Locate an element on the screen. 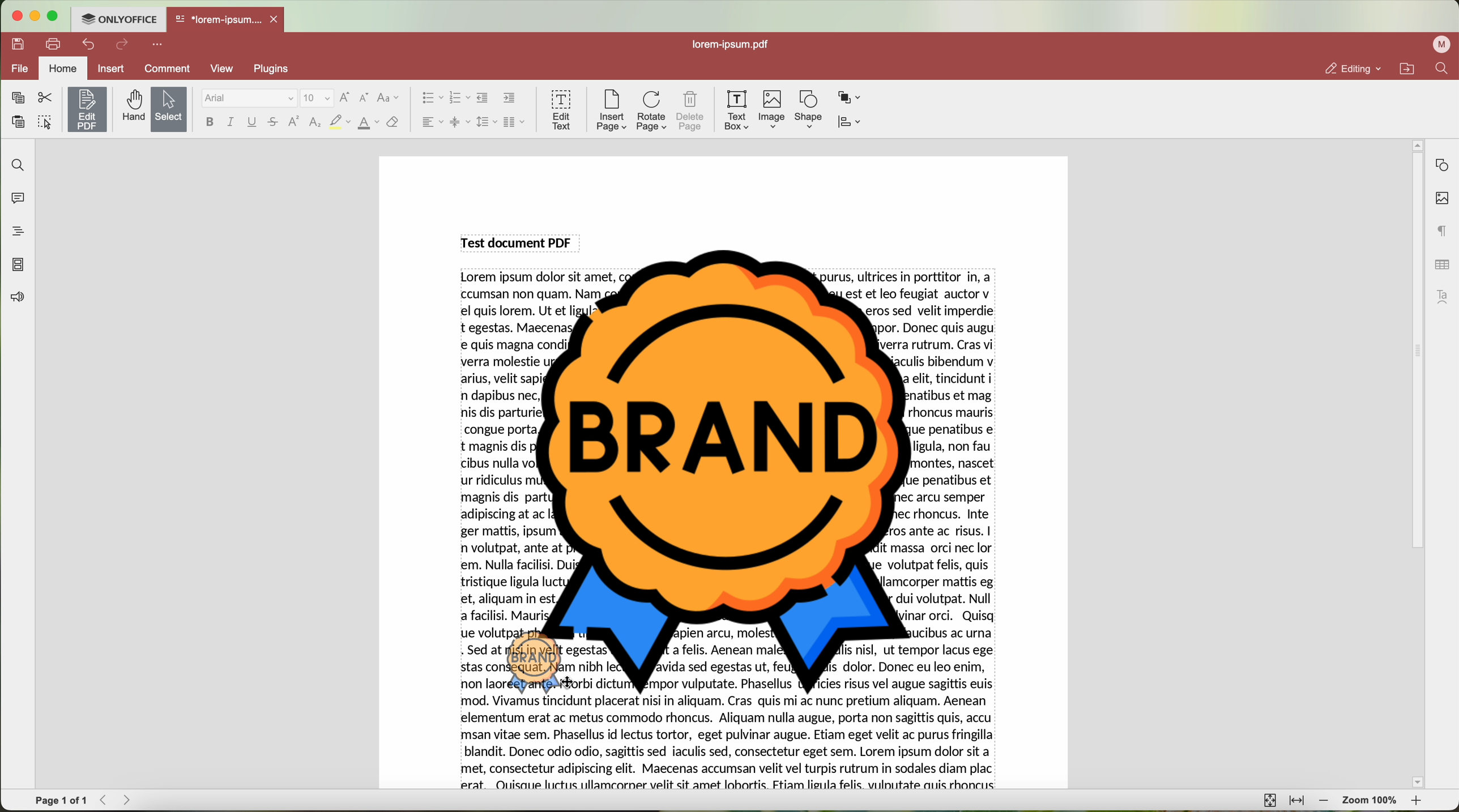 The width and height of the screenshot is (1459, 812). home is located at coordinates (63, 70).